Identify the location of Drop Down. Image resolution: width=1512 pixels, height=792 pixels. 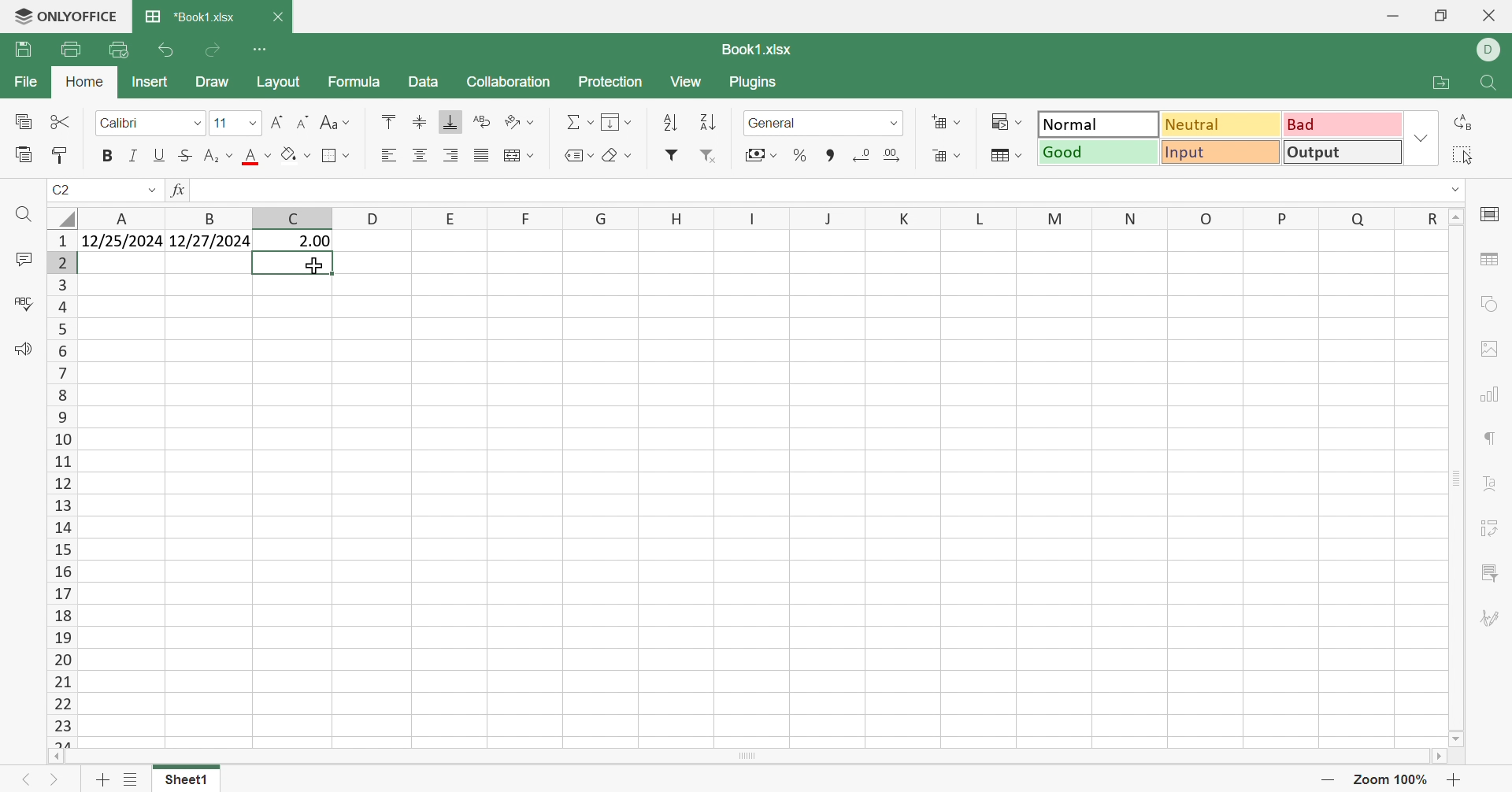
(1450, 191).